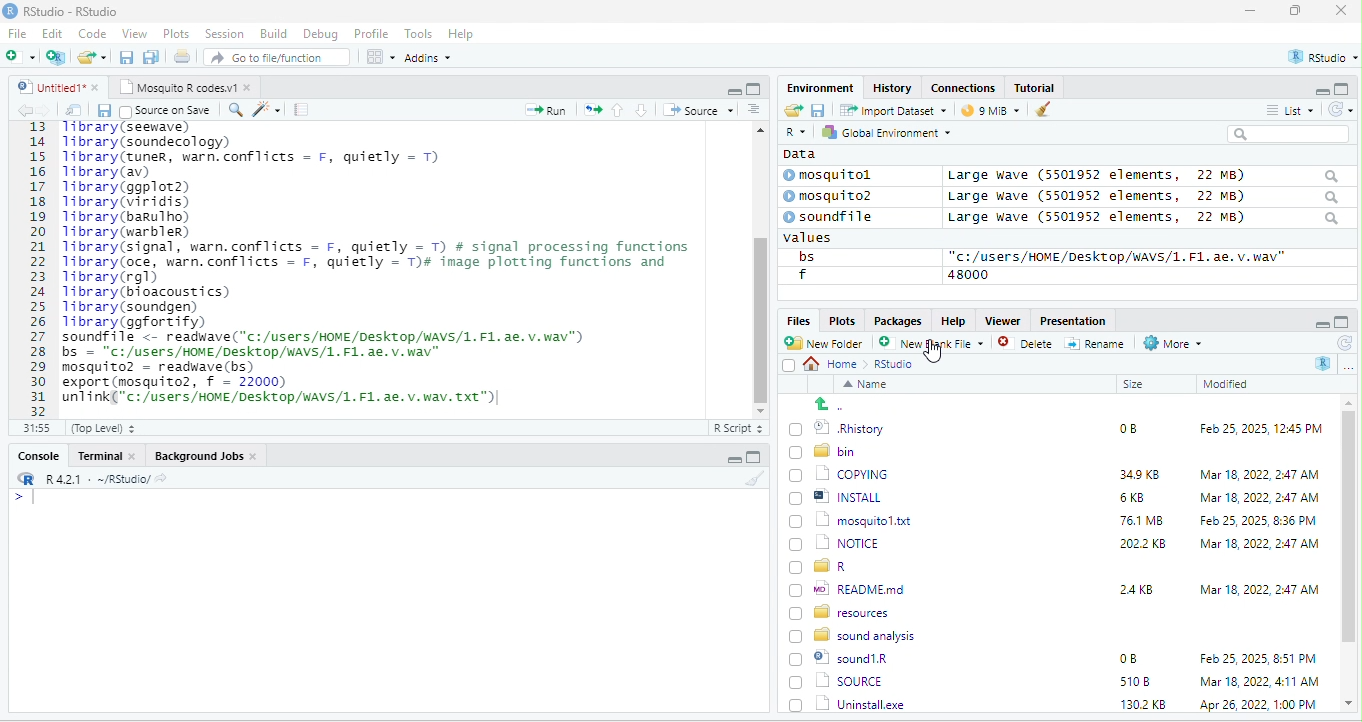  What do you see at coordinates (795, 320) in the screenshot?
I see `Files` at bounding box center [795, 320].